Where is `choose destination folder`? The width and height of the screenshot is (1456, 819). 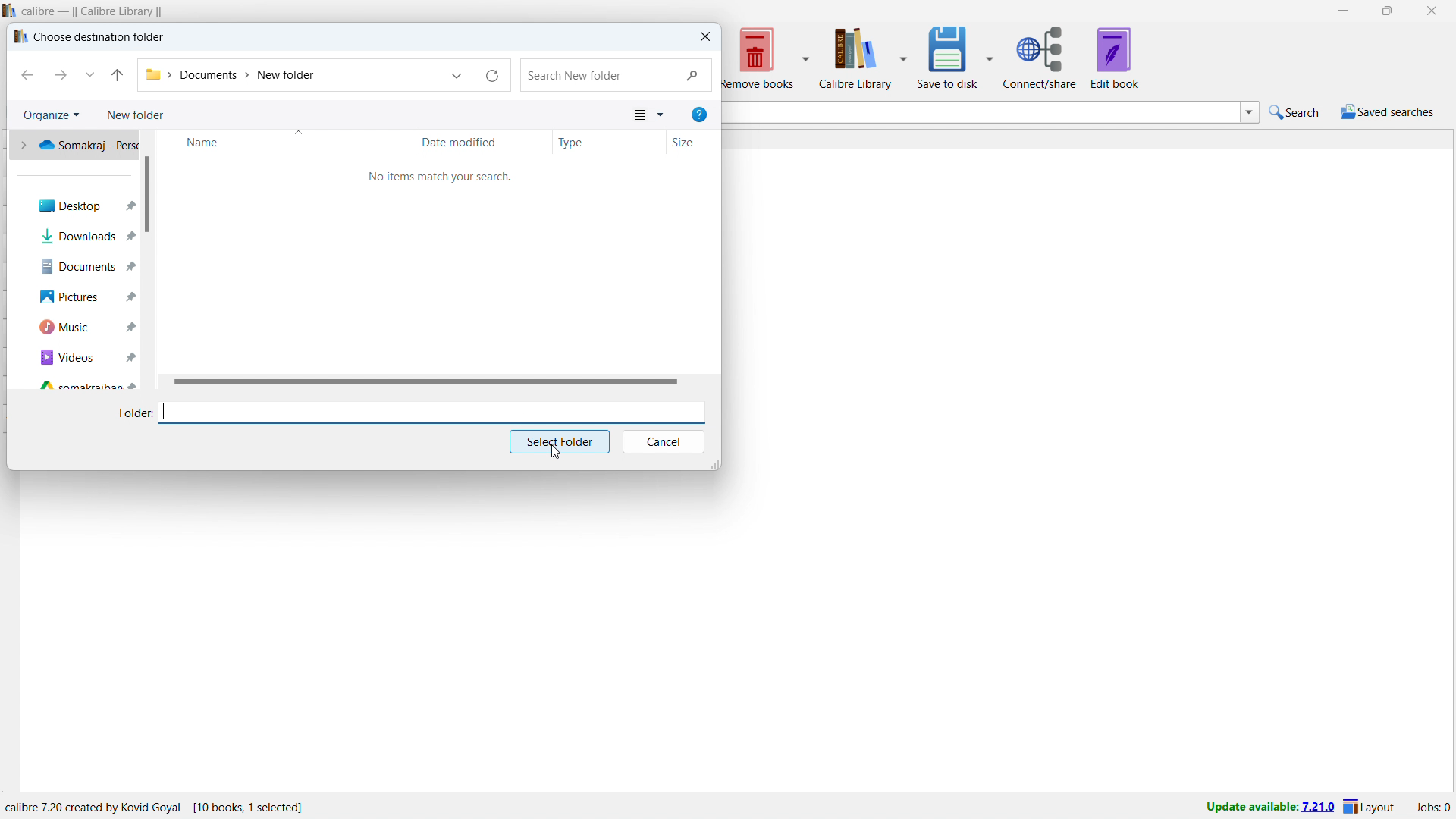 choose destination folder is located at coordinates (89, 37).